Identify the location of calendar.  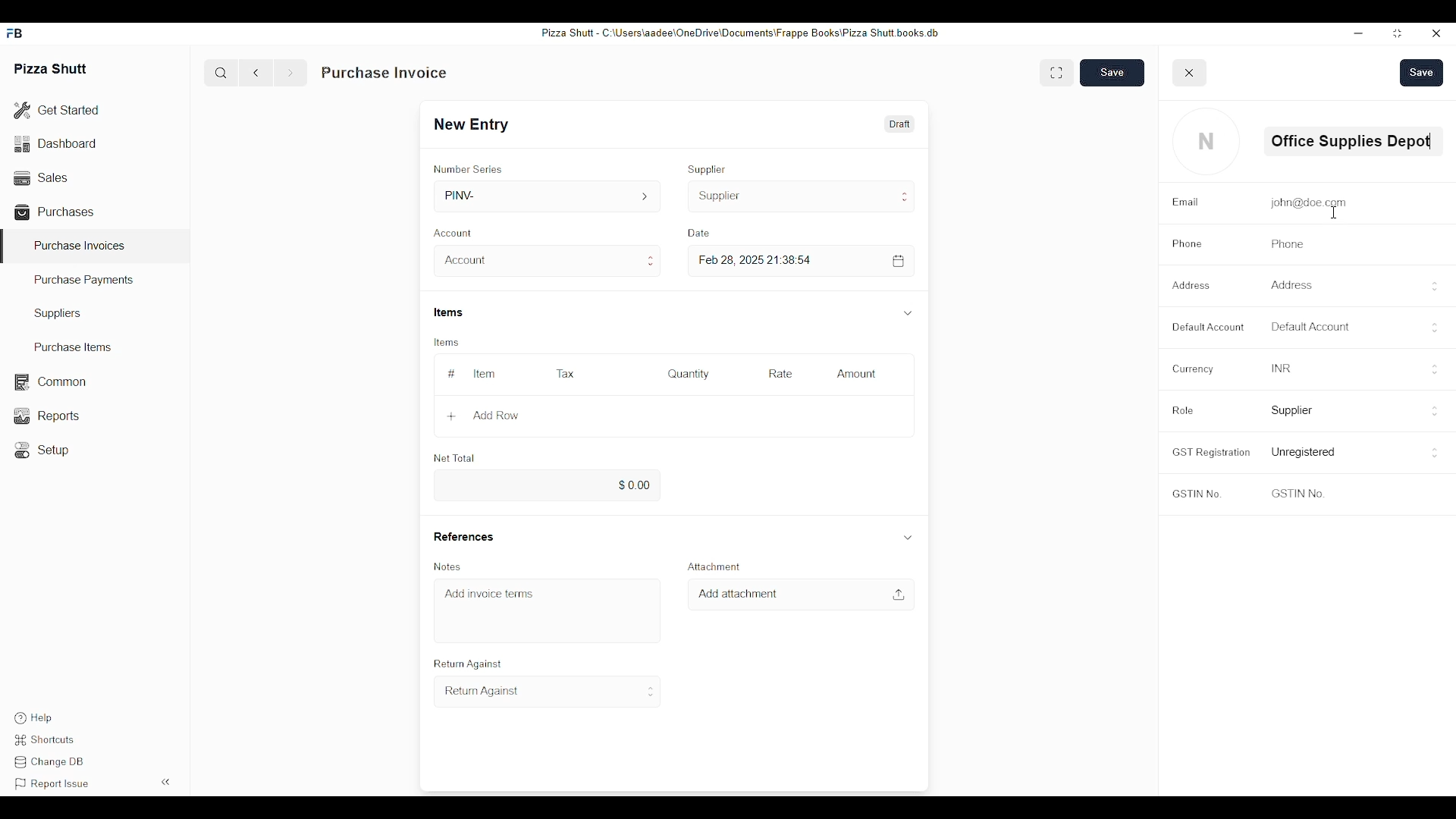
(899, 261).